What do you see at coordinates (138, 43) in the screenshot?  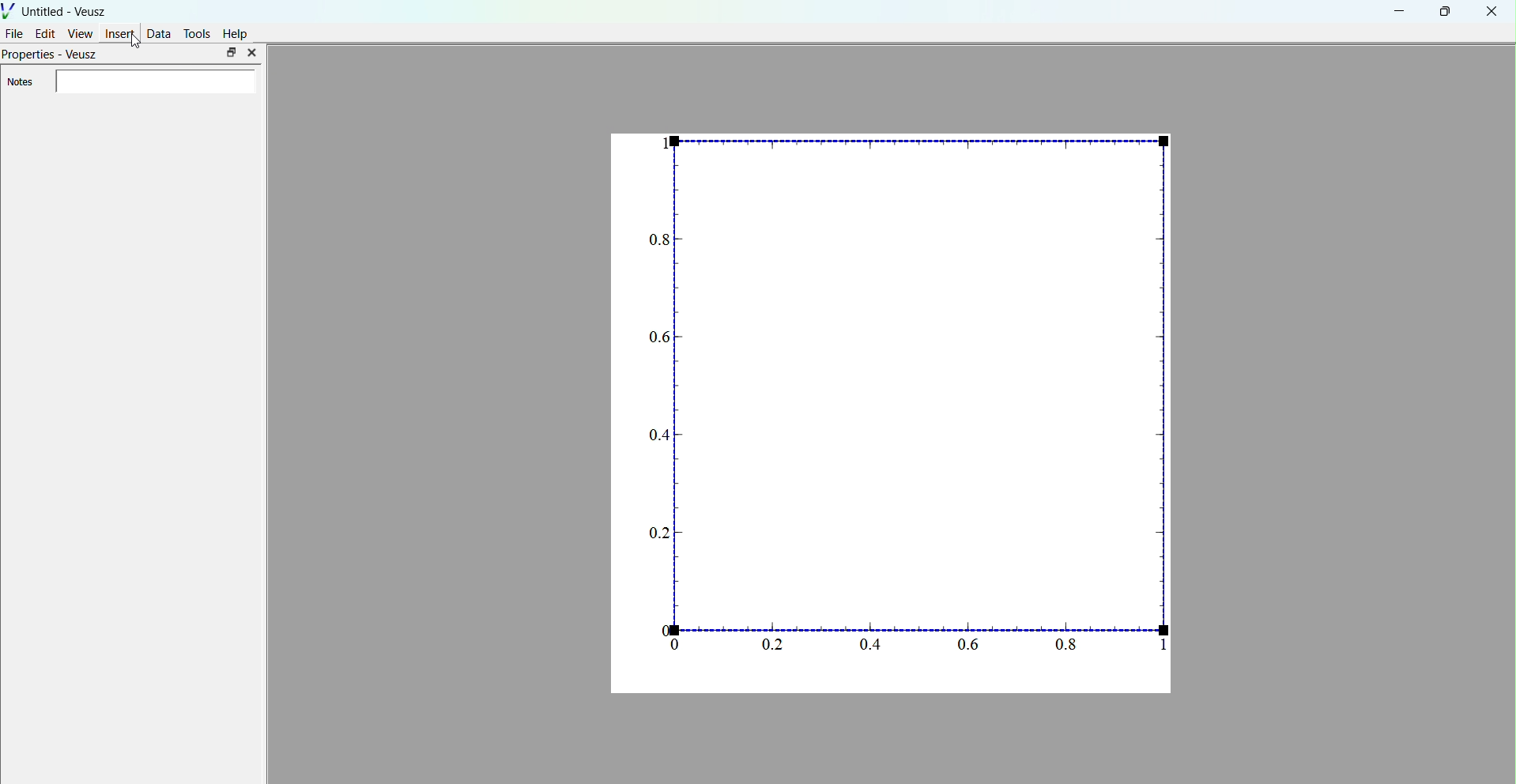 I see `cursor` at bounding box center [138, 43].